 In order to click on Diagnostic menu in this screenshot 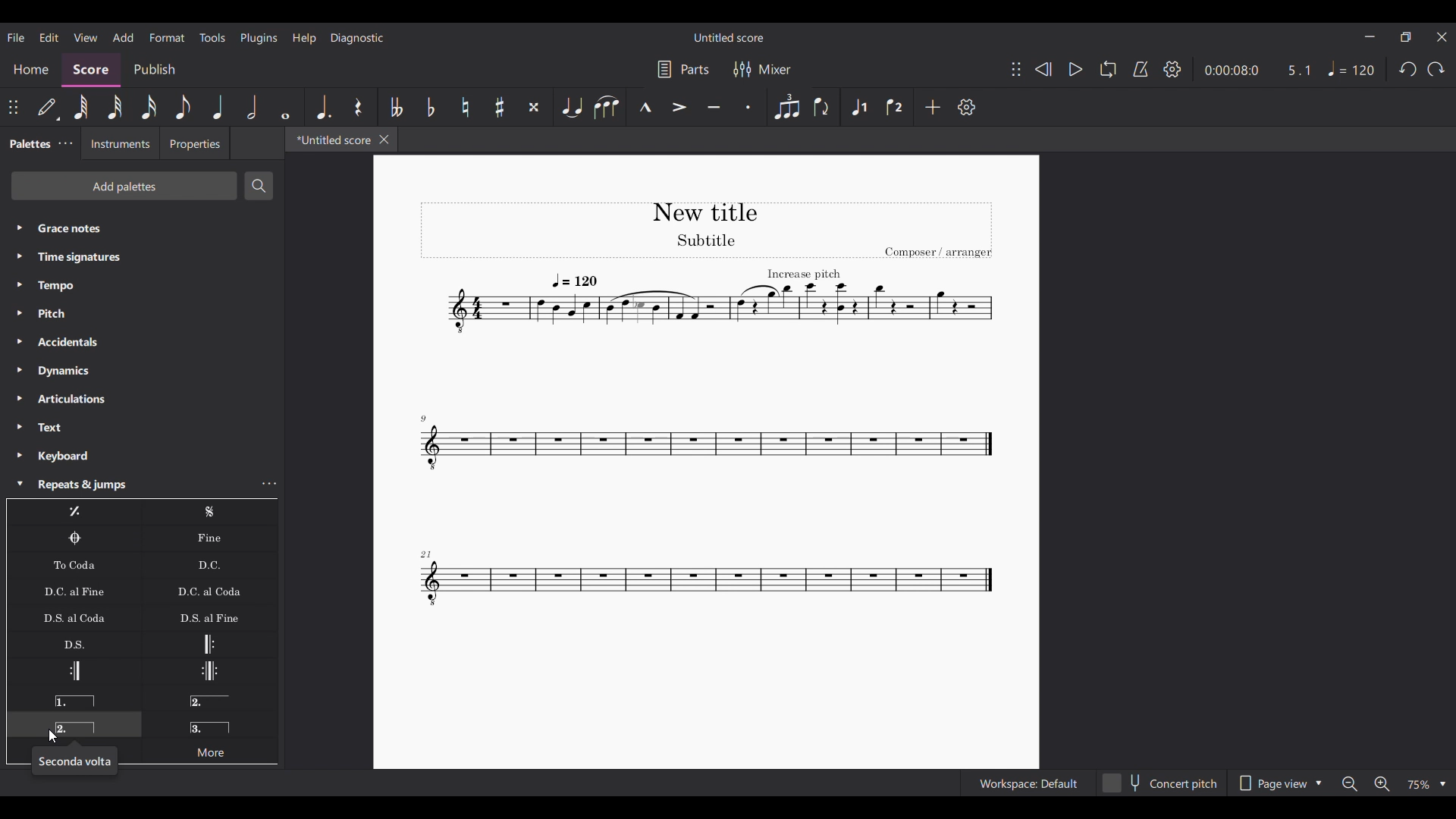, I will do `click(357, 39)`.